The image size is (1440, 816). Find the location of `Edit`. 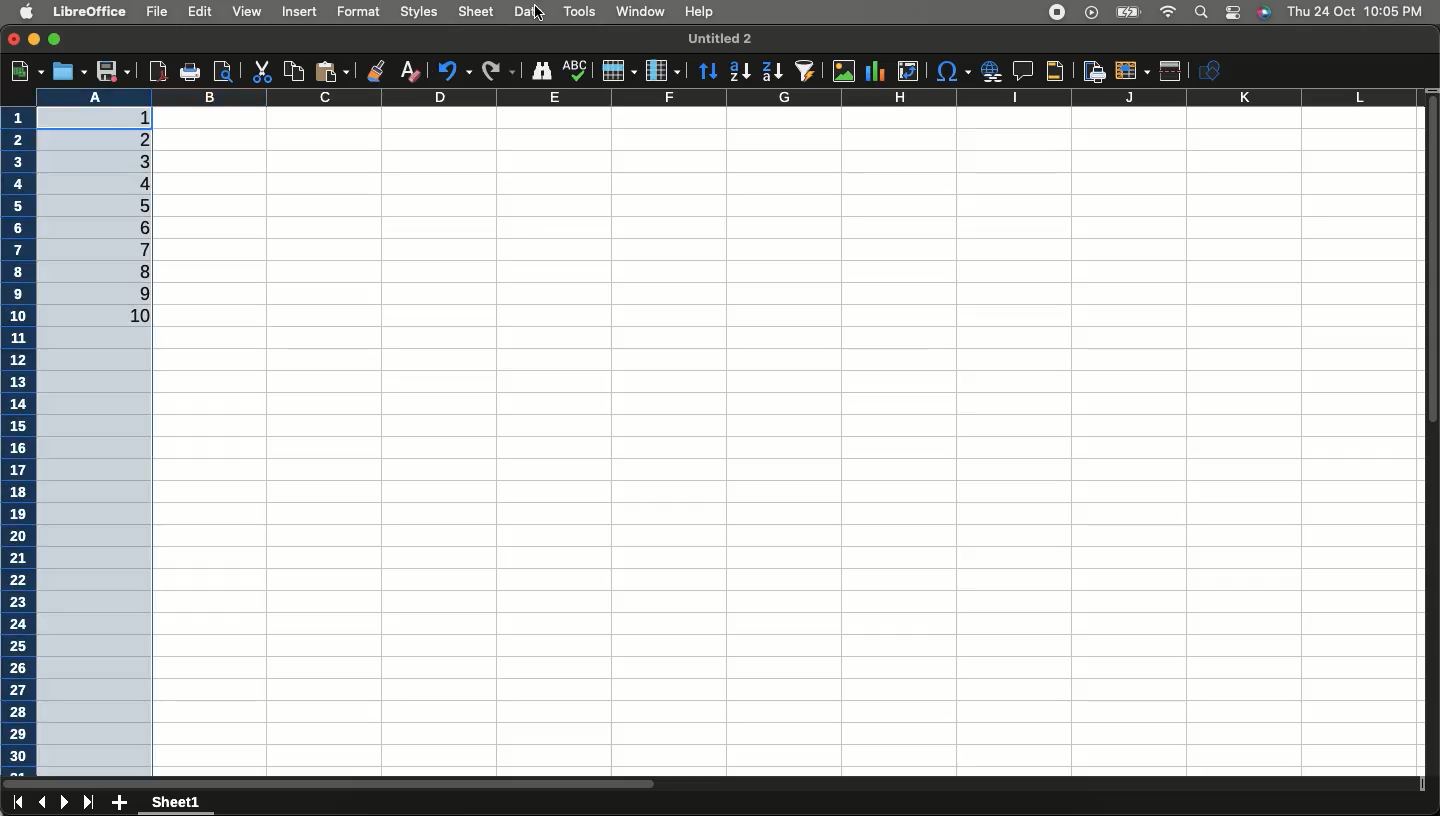

Edit is located at coordinates (202, 13).